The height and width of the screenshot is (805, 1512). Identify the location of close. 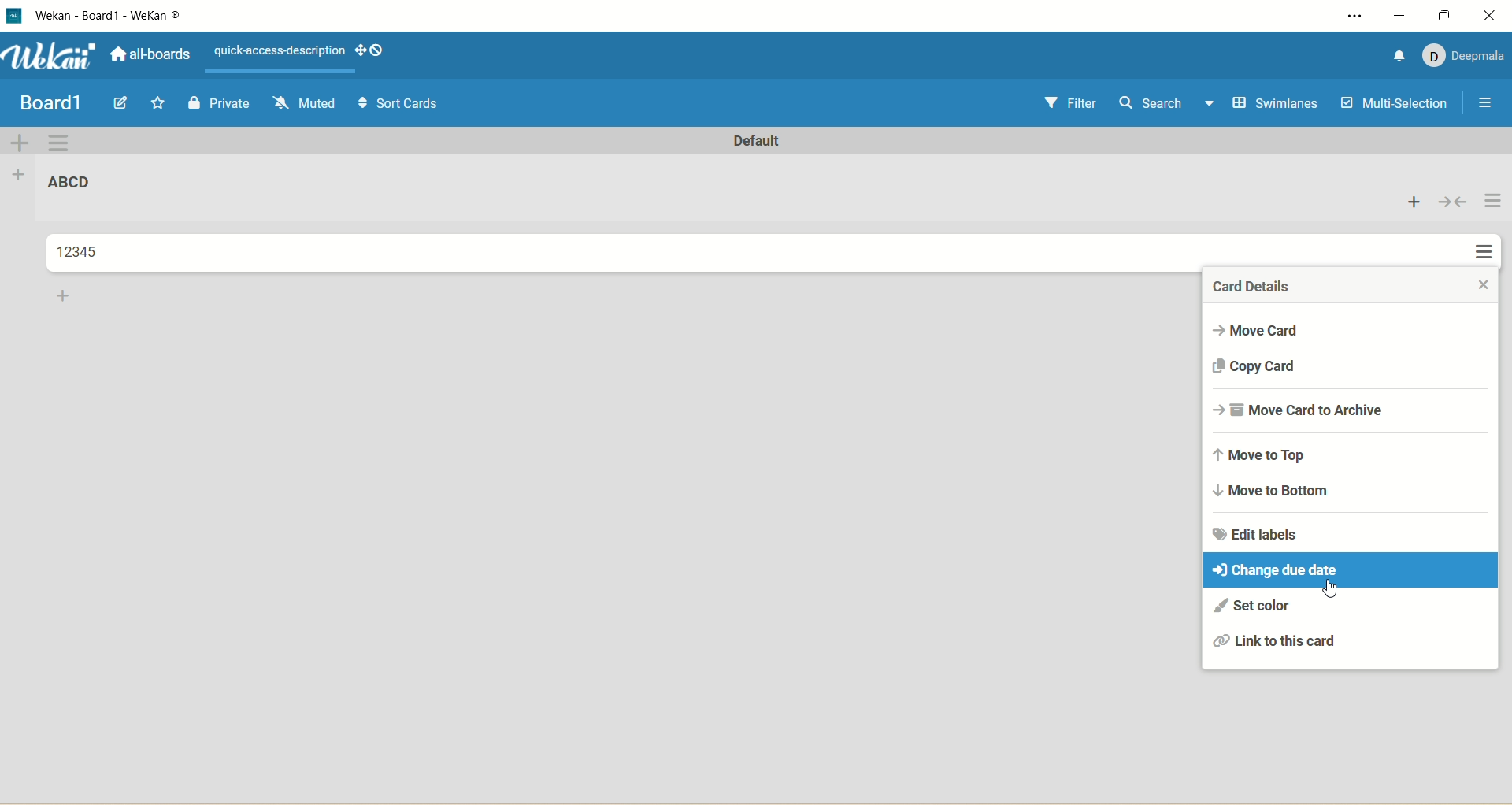
(1477, 289).